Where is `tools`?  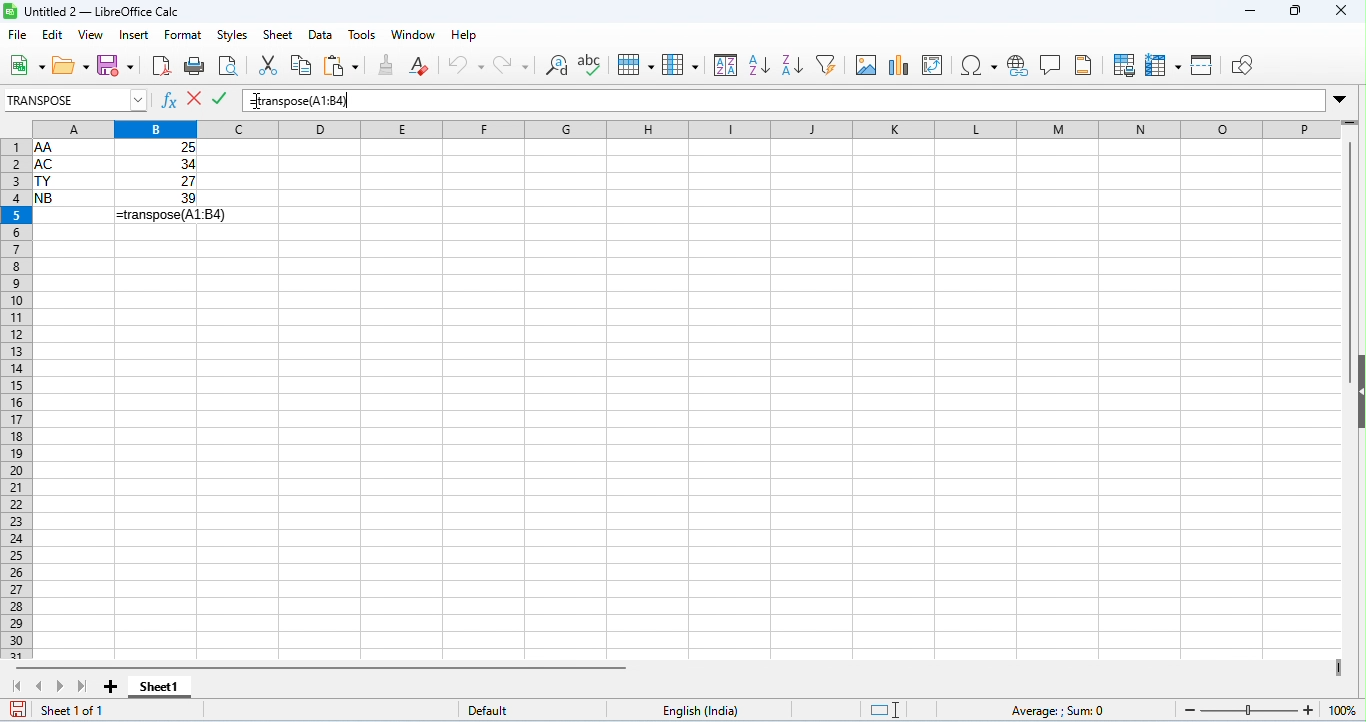
tools is located at coordinates (363, 36).